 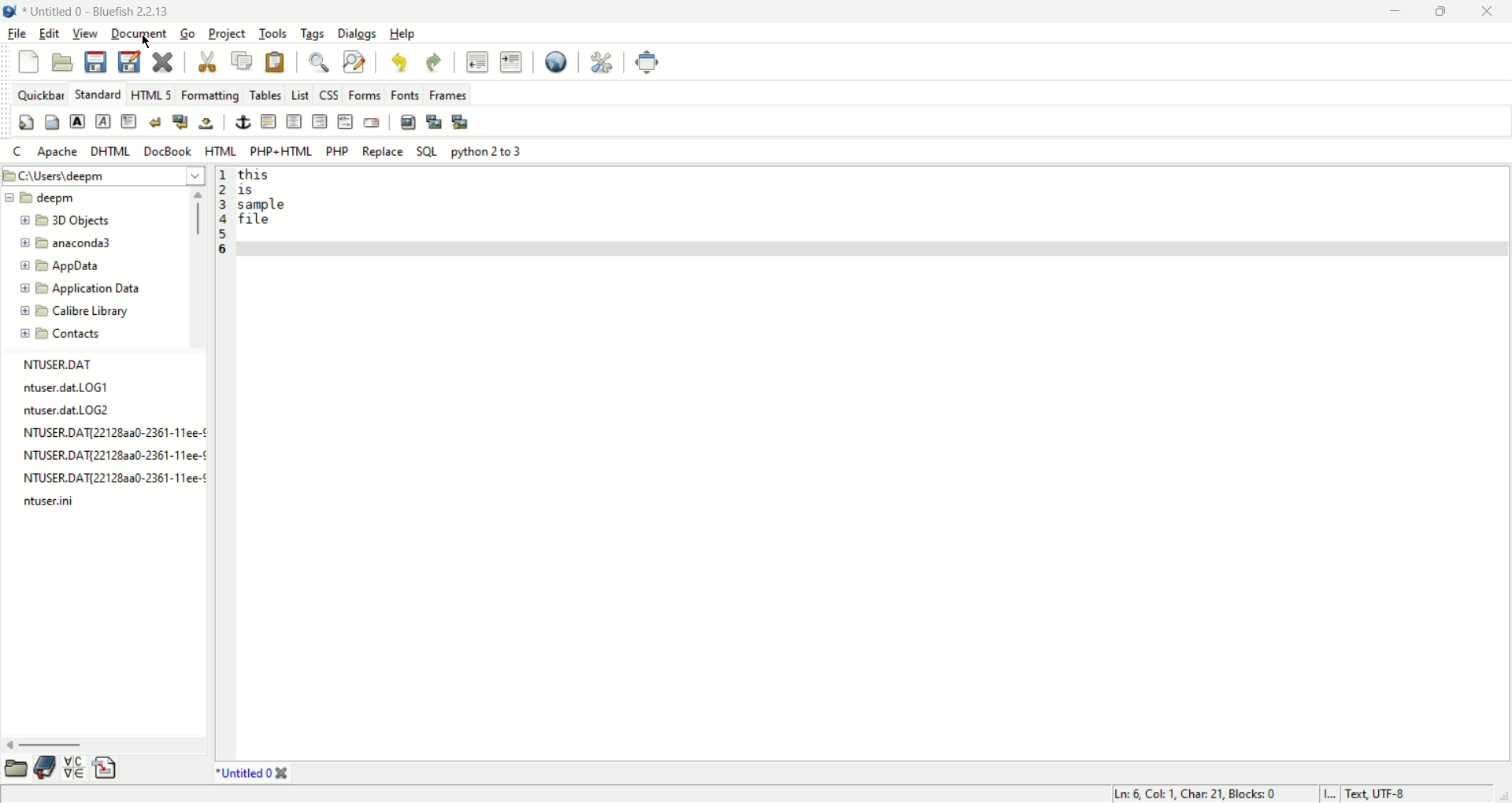 I want to click on advanced find and replace, so click(x=354, y=62).